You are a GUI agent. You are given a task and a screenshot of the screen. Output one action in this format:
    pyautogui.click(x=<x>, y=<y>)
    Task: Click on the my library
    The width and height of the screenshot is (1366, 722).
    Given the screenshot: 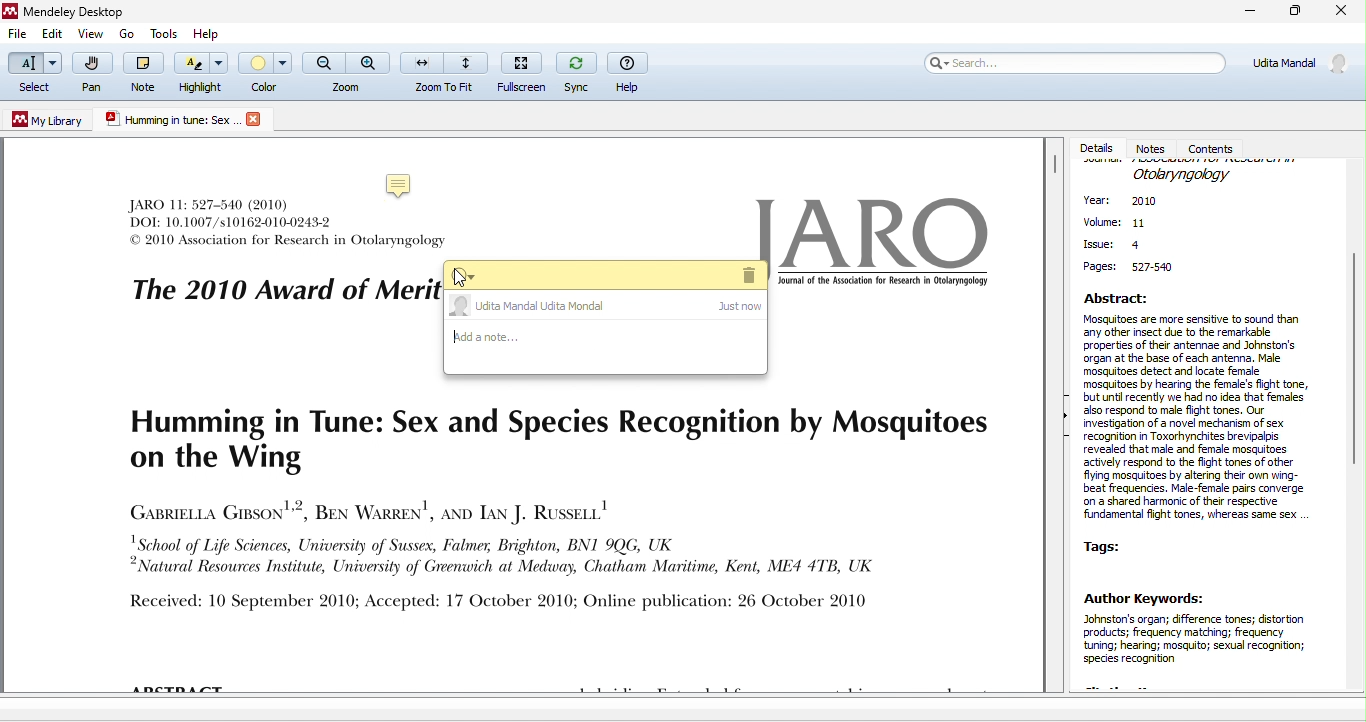 What is the action you would take?
    pyautogui.click(x=49, y=120)
    